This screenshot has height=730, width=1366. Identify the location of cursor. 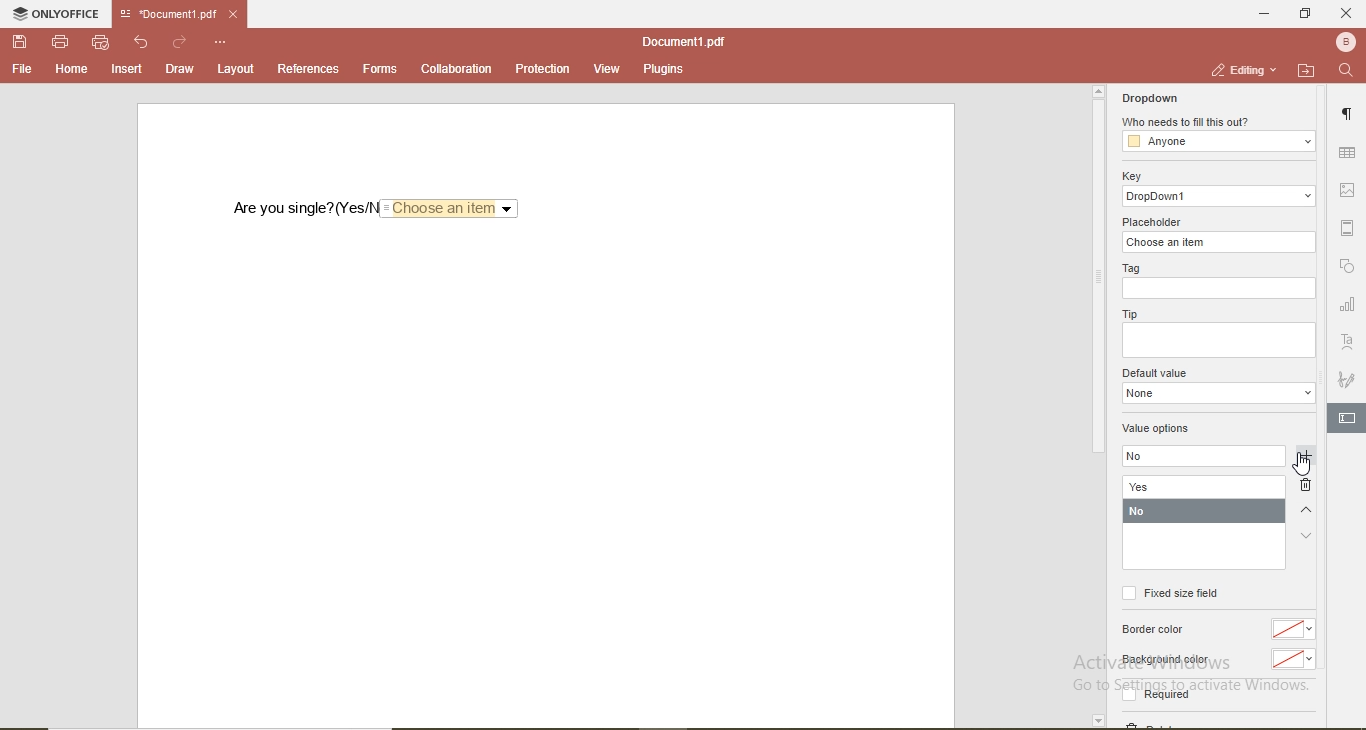
(1300, 463).